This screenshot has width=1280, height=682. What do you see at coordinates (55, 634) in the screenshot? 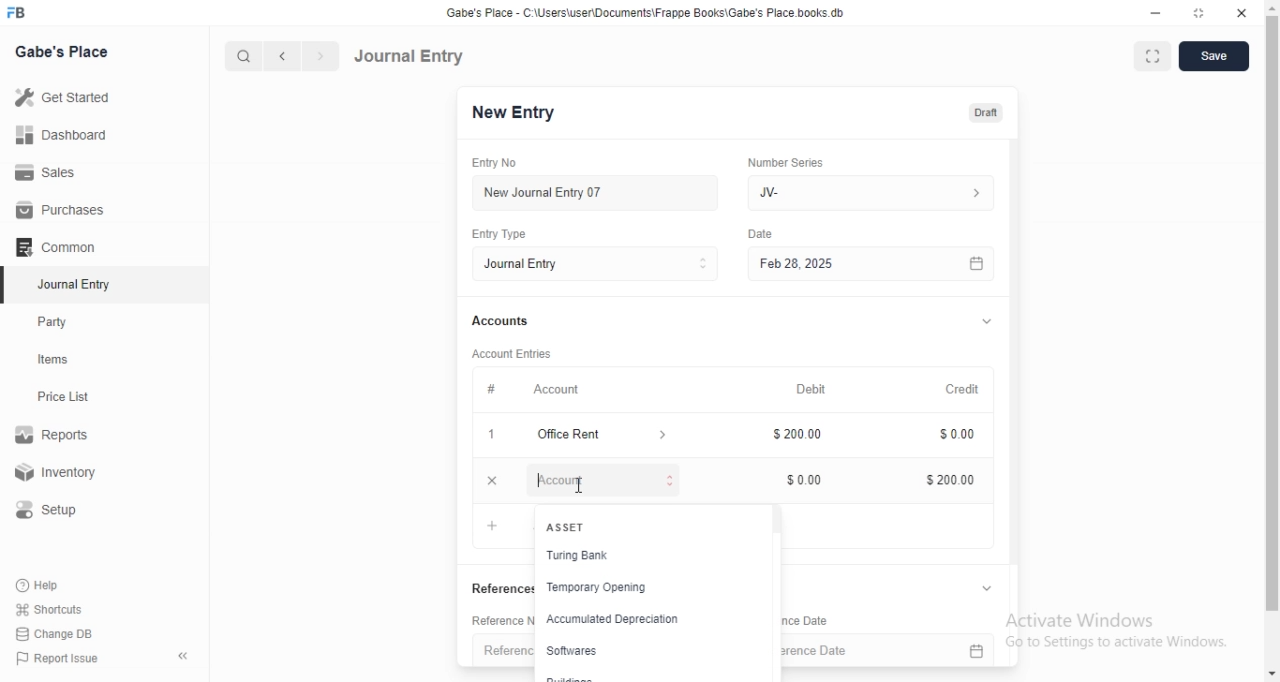
I see `‘Change DB` at bounding box center [55, 634].